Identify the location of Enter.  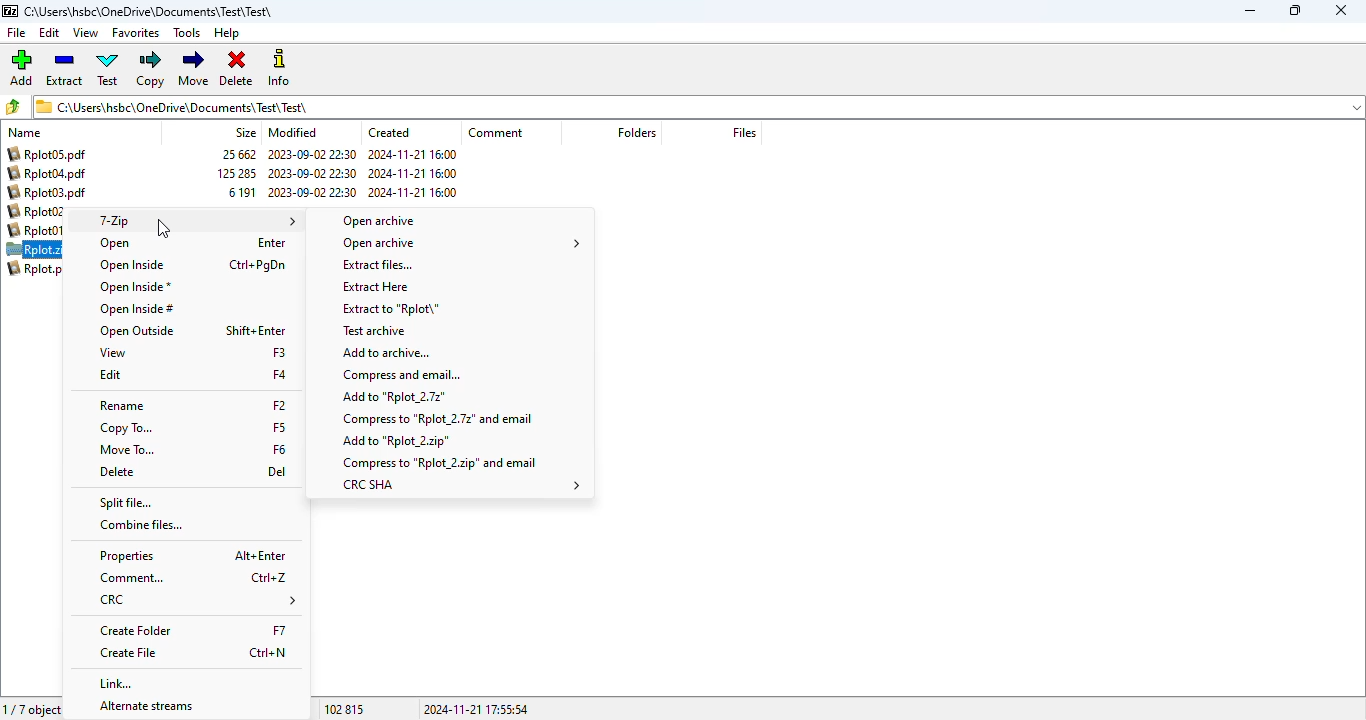
(271, 243).